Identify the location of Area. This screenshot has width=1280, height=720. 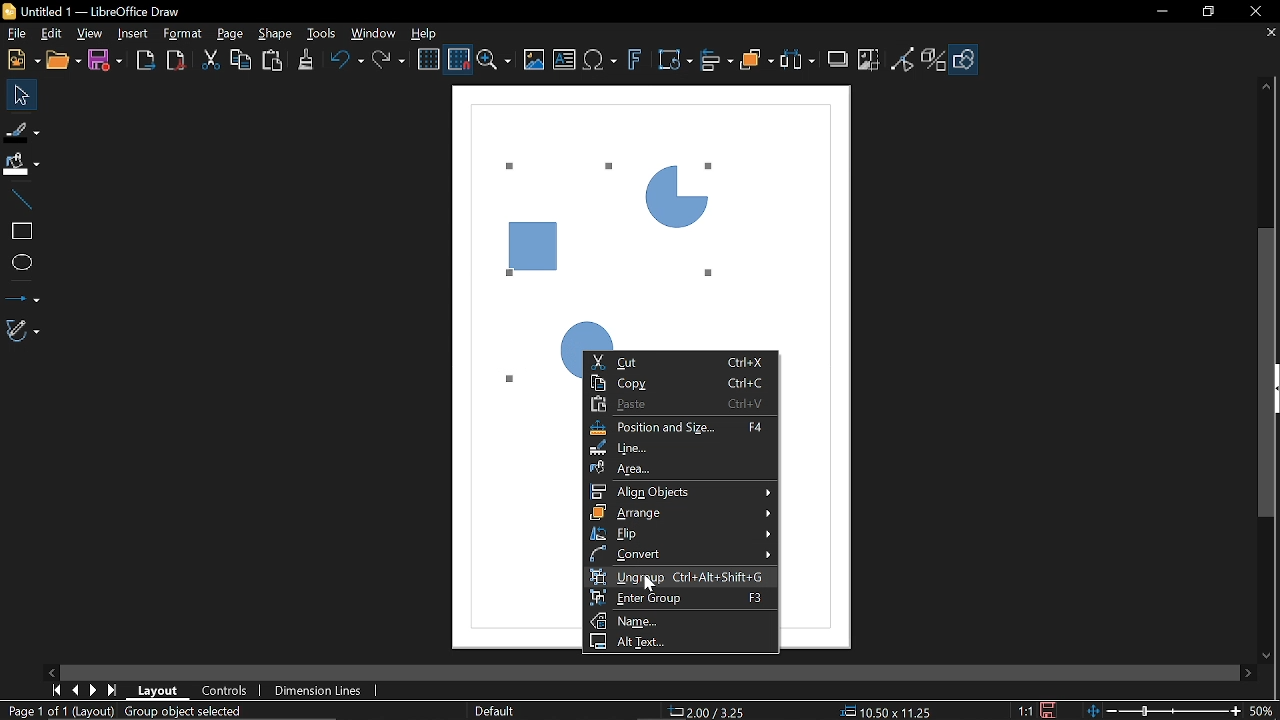
(681, 467).